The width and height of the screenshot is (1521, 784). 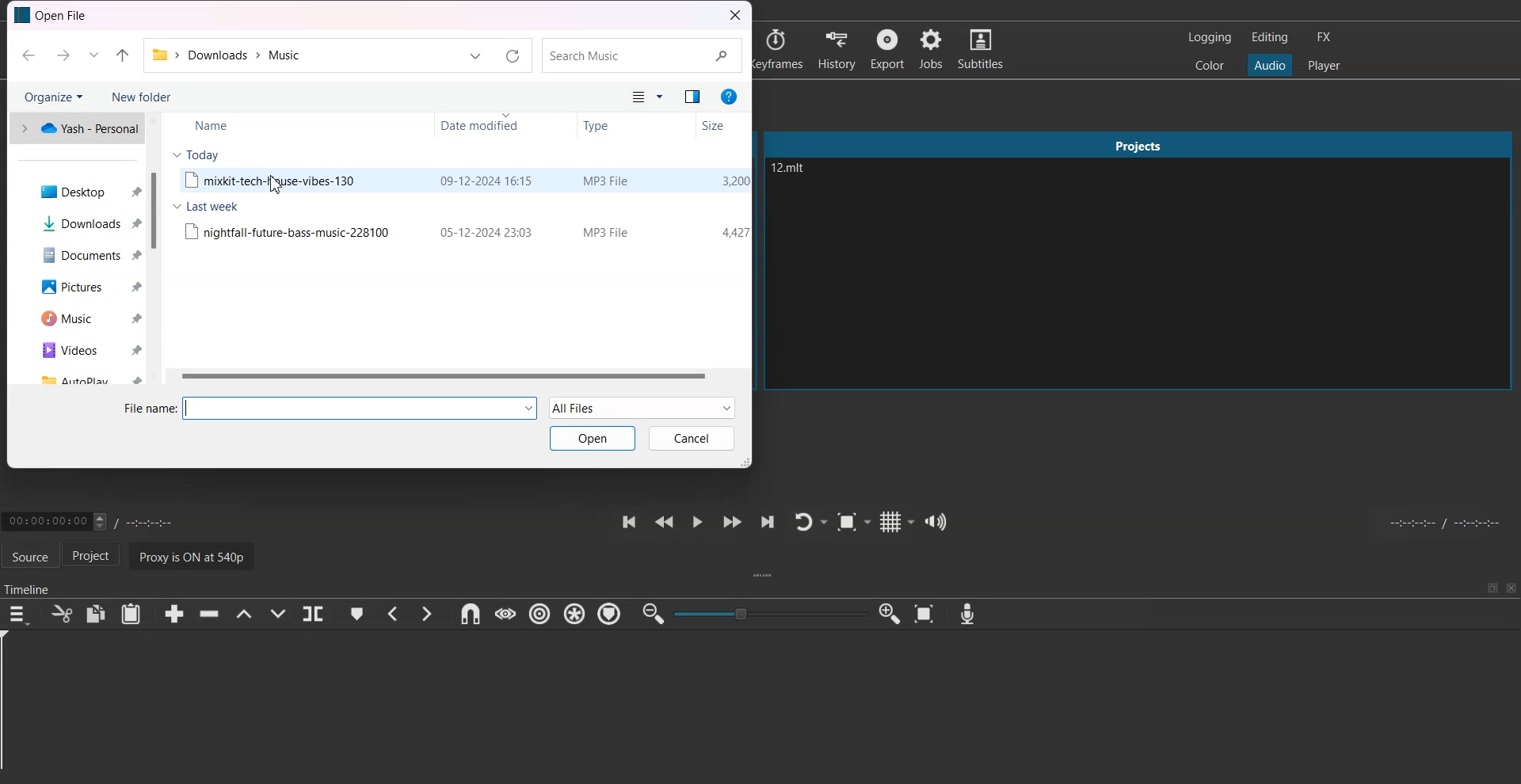 I want to click on Next marker, so click(x=427, y=613).